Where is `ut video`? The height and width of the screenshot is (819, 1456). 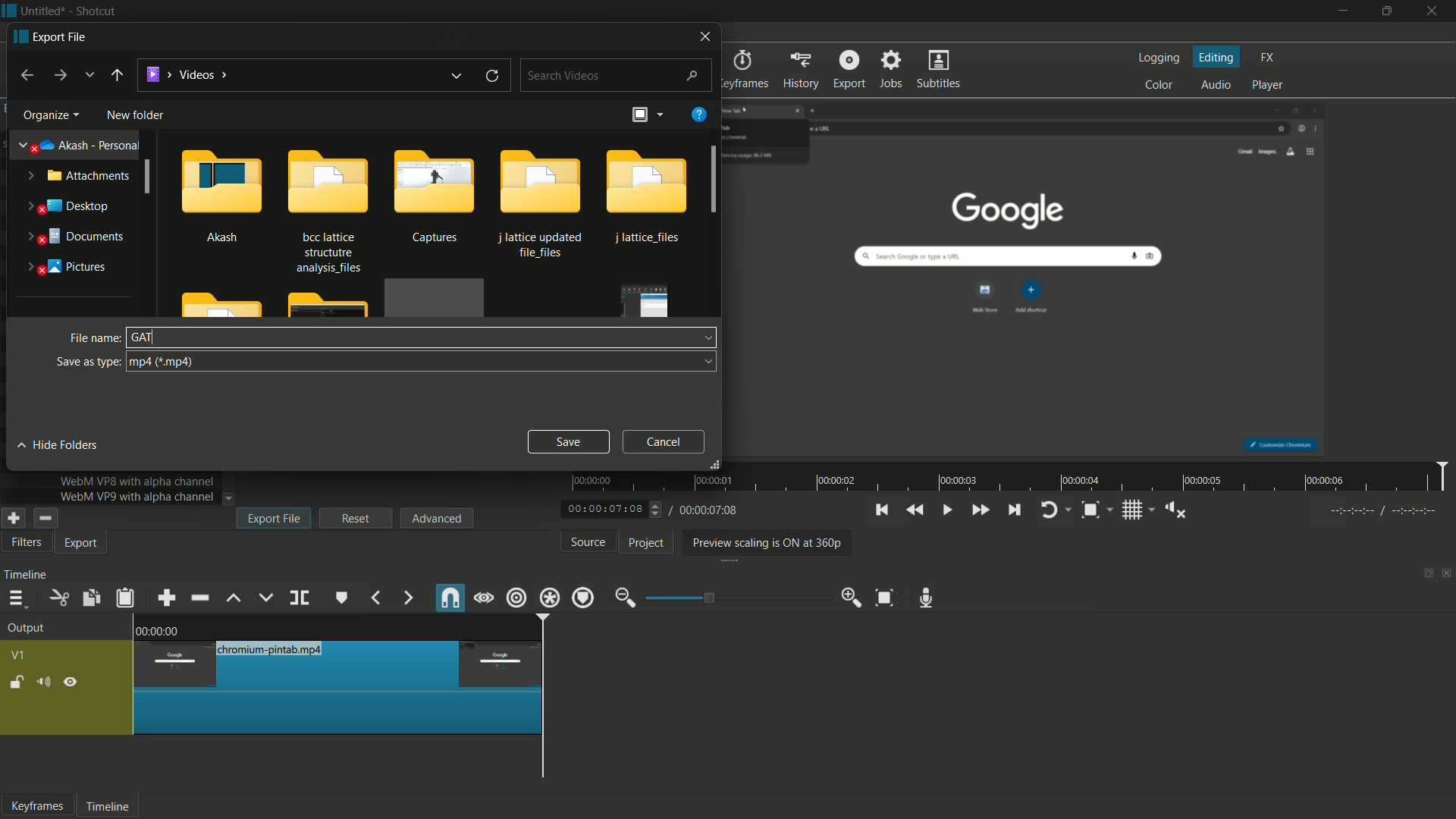 ut video is located at coordinates (24, 543).